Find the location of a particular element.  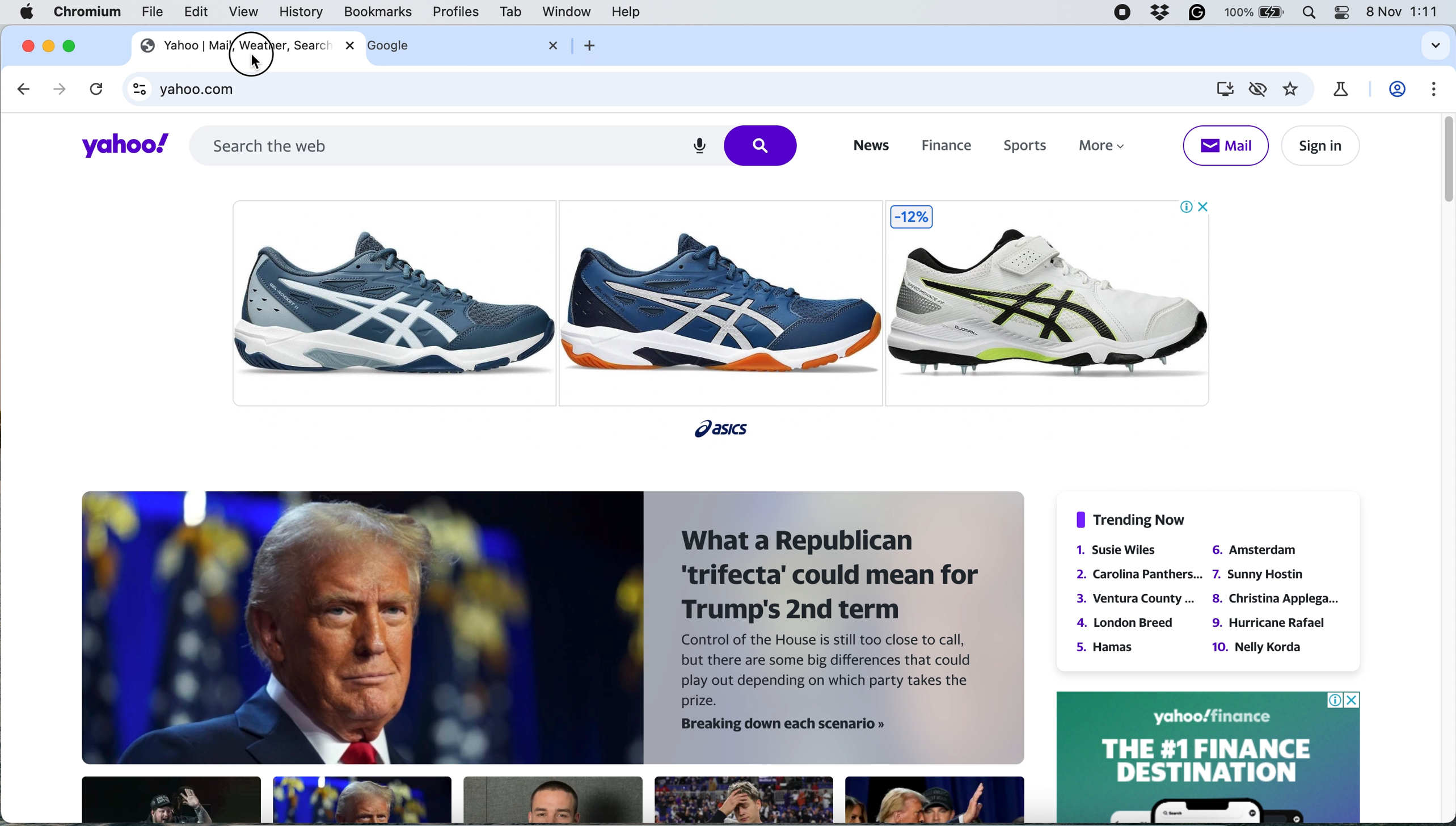

system logo is located at coordinates (28, 12).